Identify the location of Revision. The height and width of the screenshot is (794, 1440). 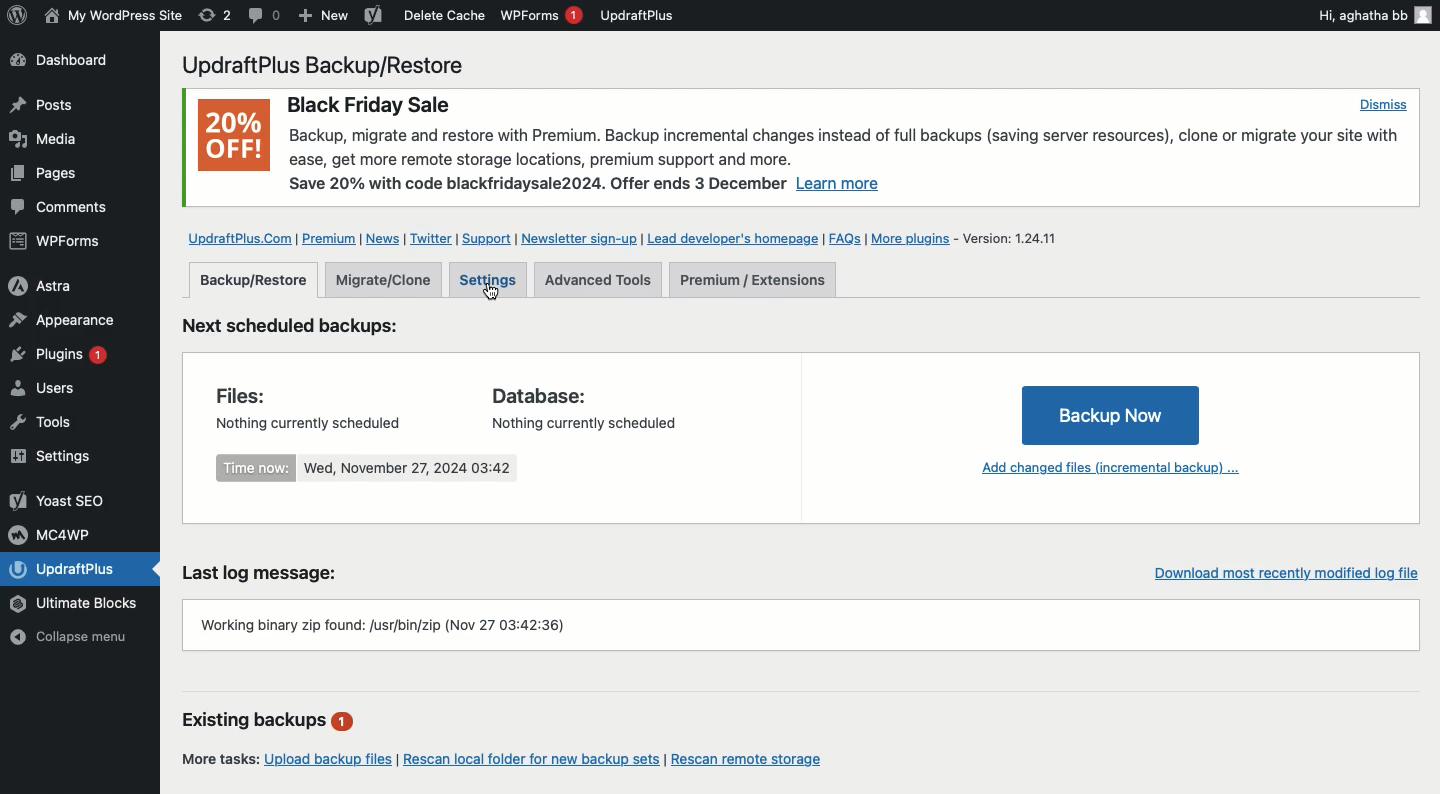
(215, 15).